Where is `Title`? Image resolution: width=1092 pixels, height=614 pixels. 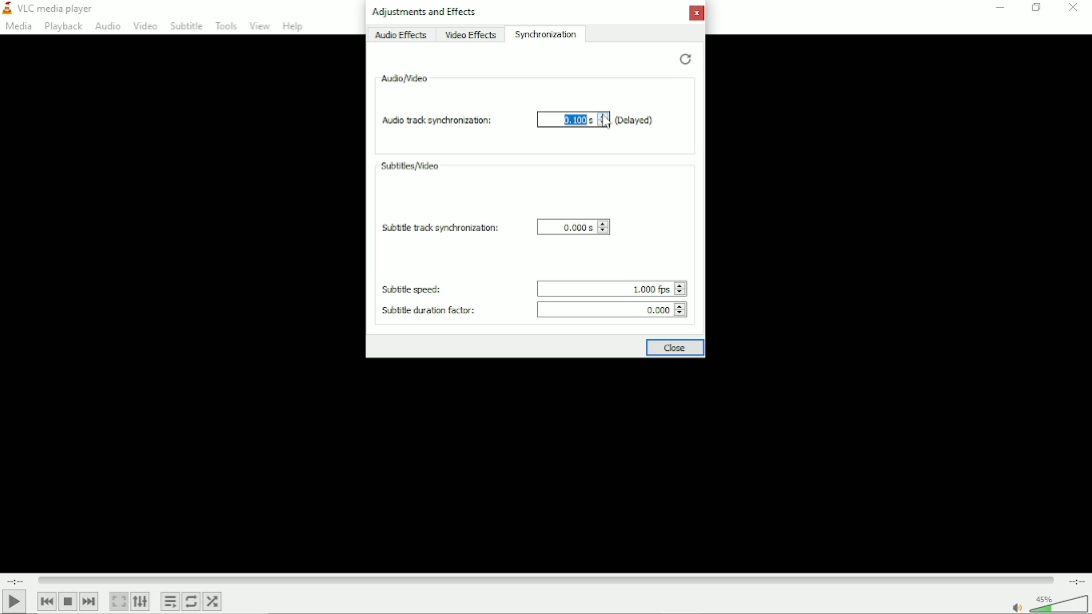
Title is located at coordinates (53, 9).